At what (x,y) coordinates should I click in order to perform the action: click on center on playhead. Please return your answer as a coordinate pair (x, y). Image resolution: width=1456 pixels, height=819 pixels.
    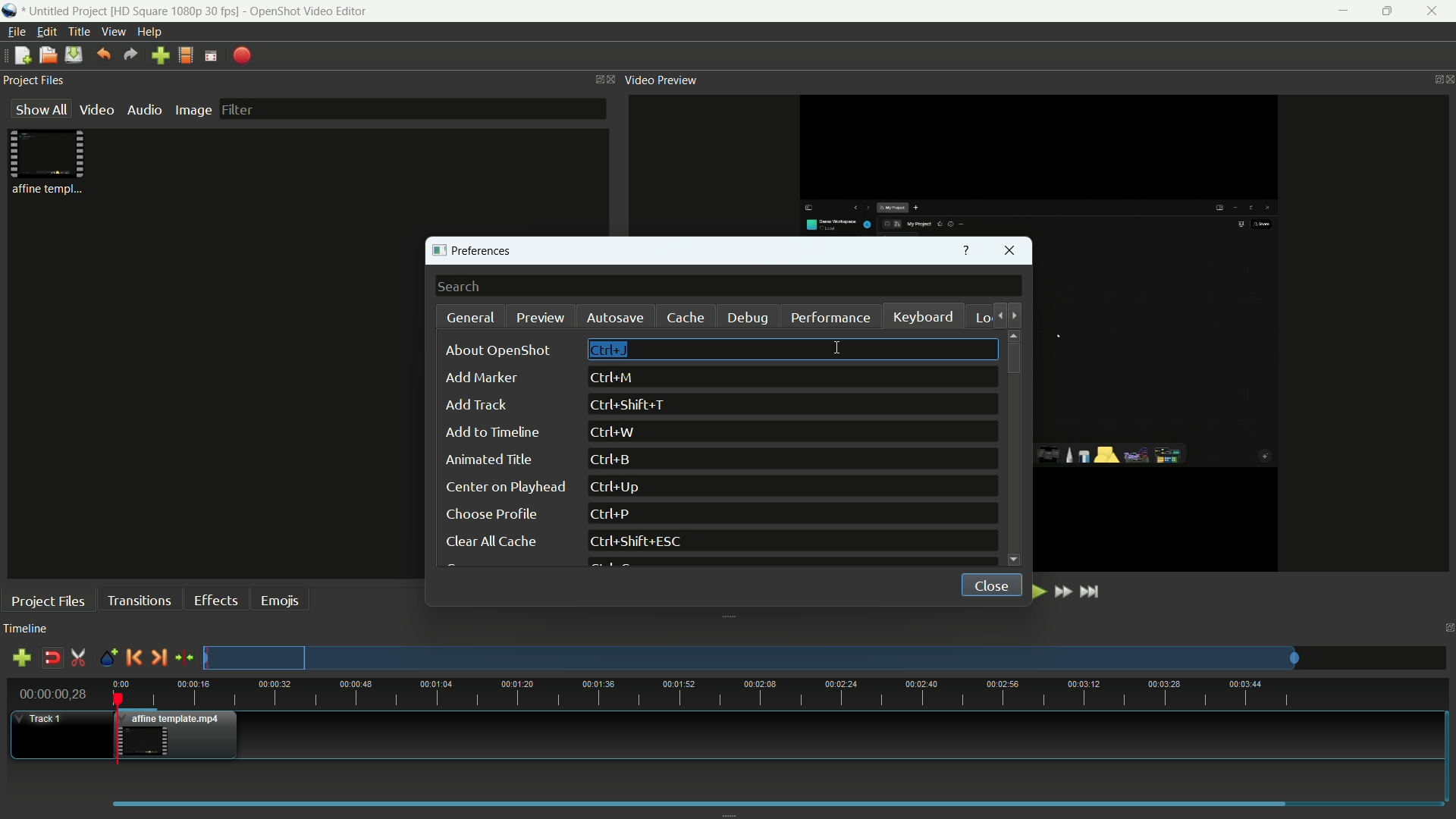
    Looking at the image, I should click on (504, 487).